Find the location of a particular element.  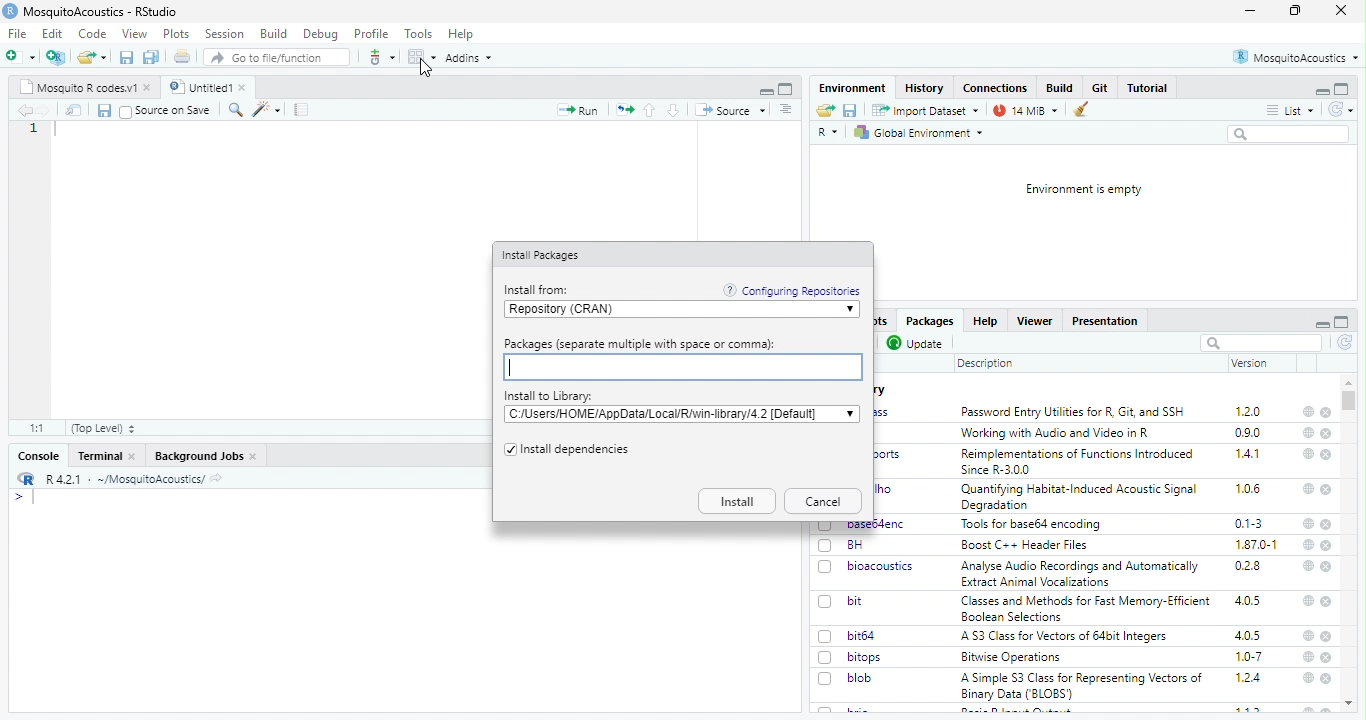

Run is located at coordinates (577, 110).